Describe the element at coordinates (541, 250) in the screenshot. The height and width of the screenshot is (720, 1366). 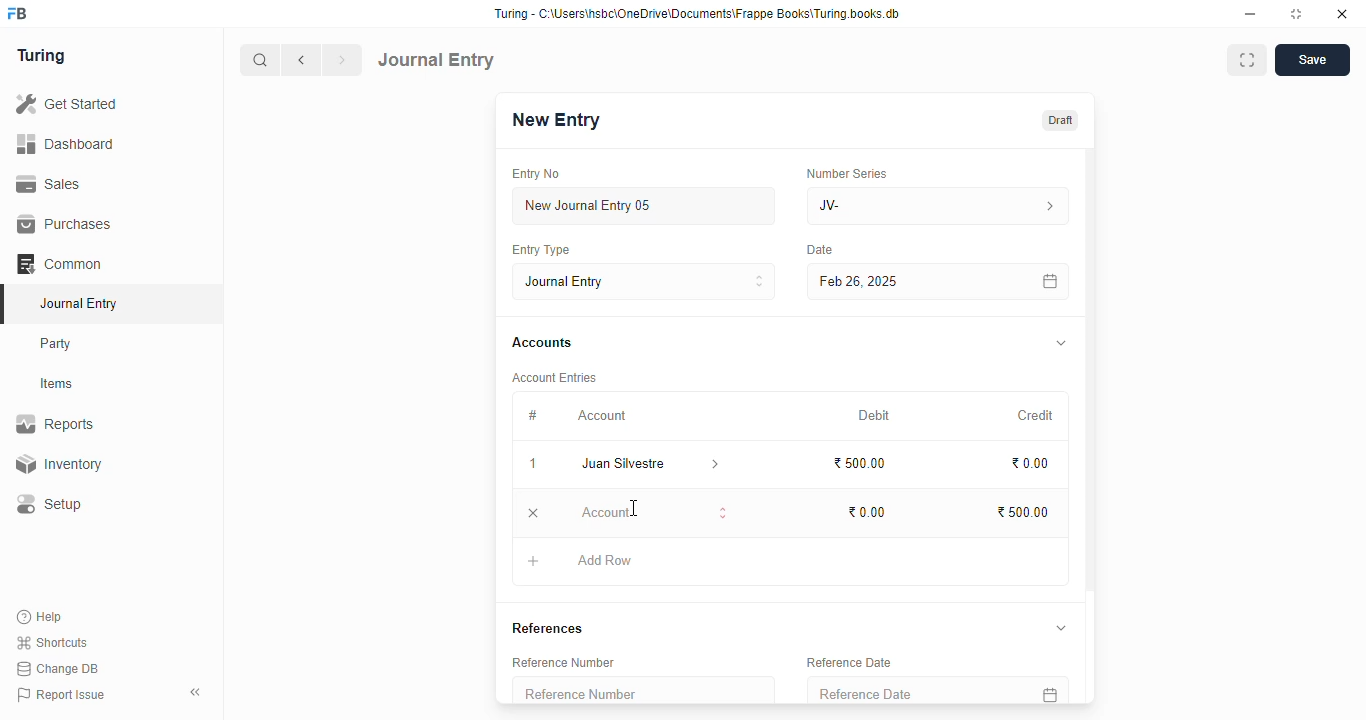
I see `entry type` at that location.